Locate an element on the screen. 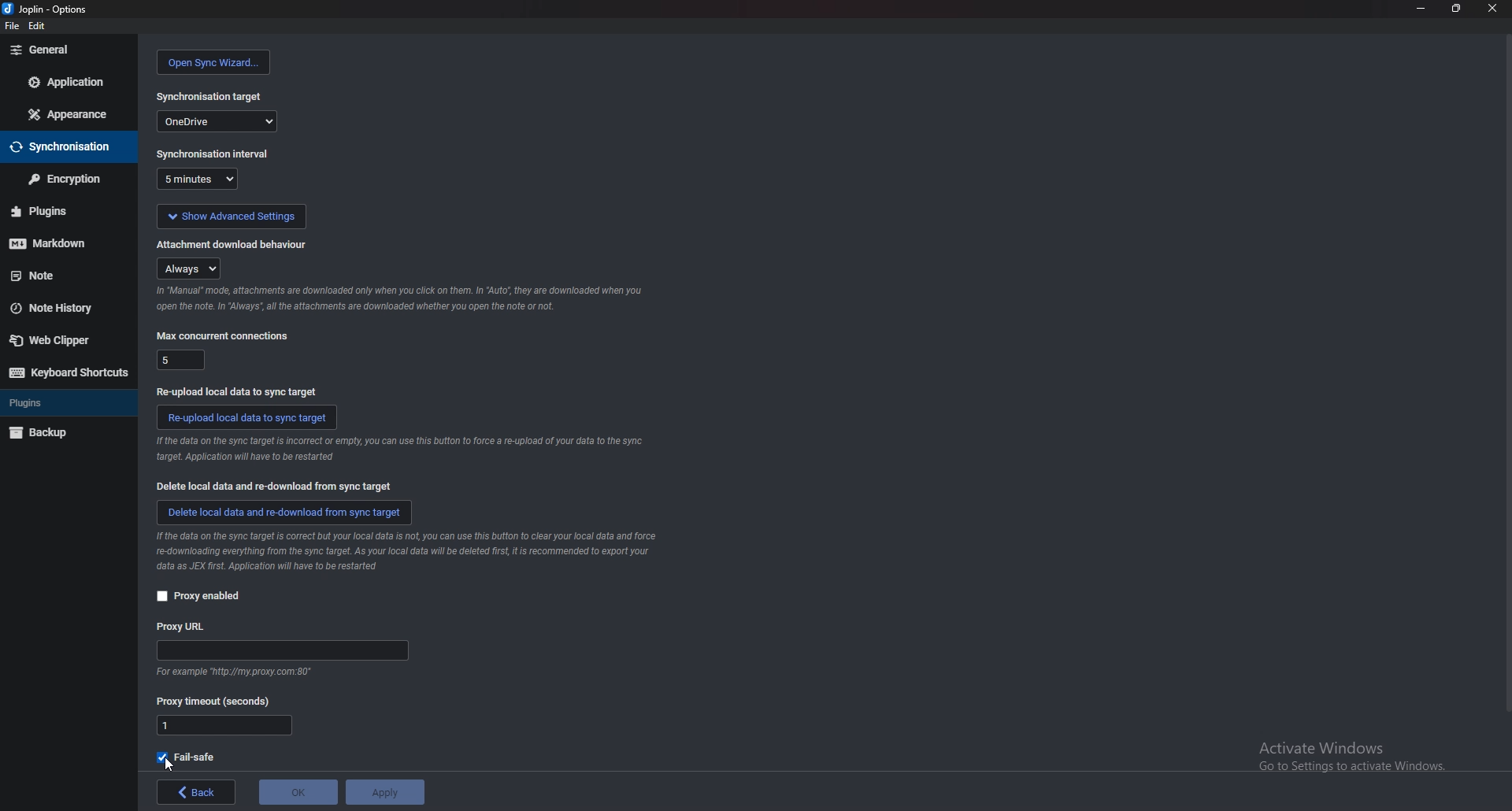  minimize is located at coordinates (1421, 8).